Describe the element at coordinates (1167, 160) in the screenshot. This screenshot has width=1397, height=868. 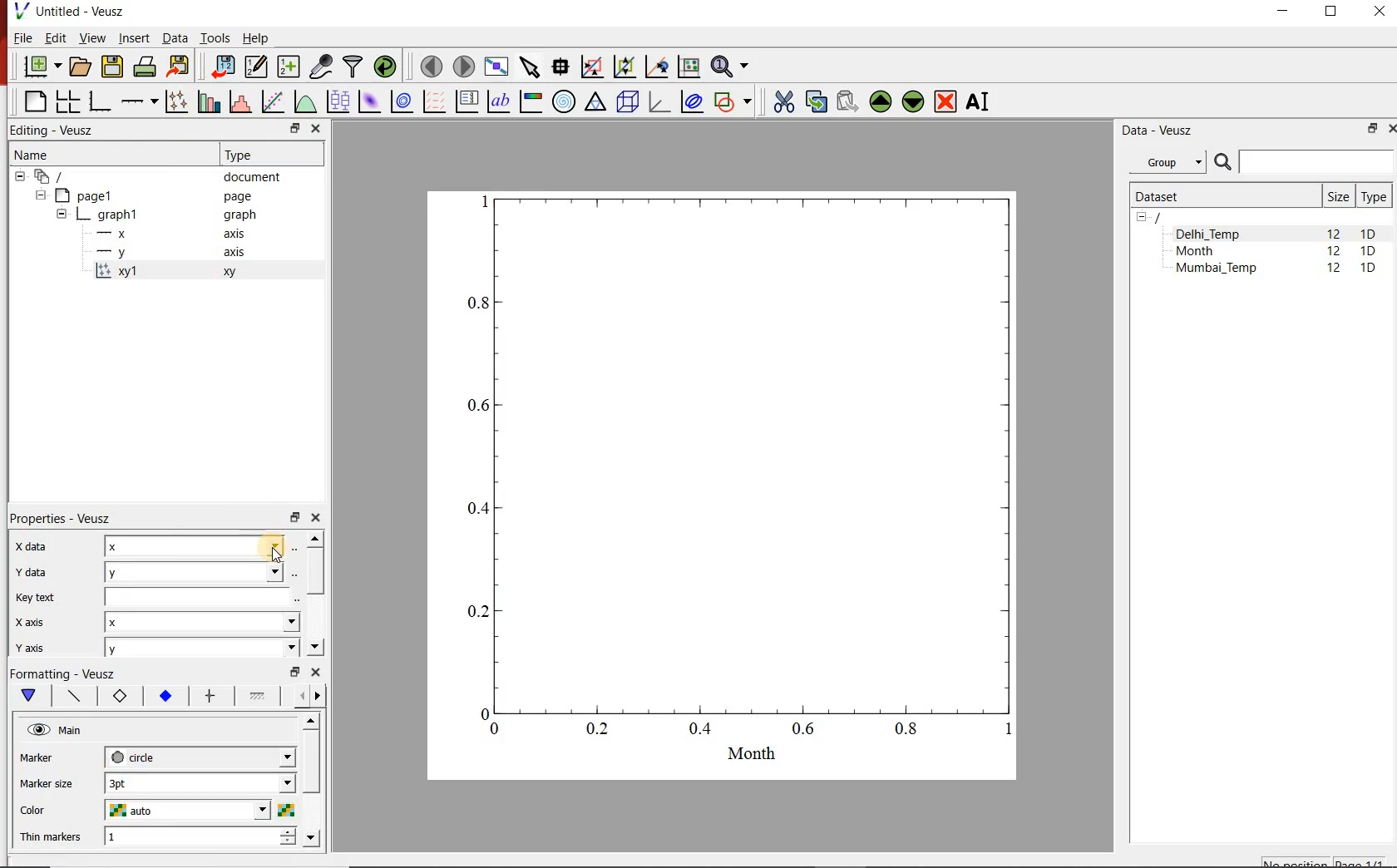
I see `Group` at that location.